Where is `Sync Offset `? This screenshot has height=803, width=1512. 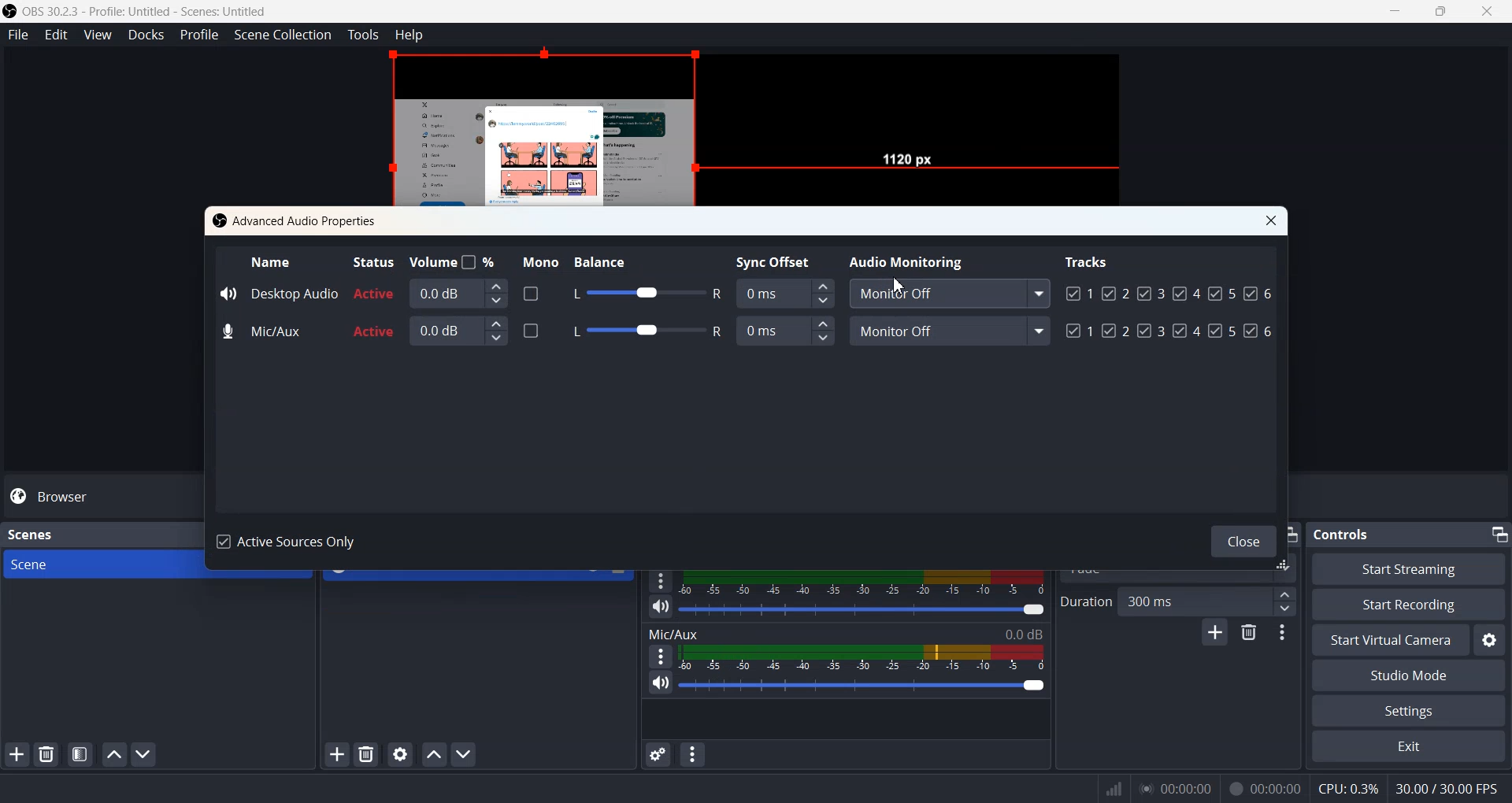 Sync Offset  is located at coordinates (787, 331).